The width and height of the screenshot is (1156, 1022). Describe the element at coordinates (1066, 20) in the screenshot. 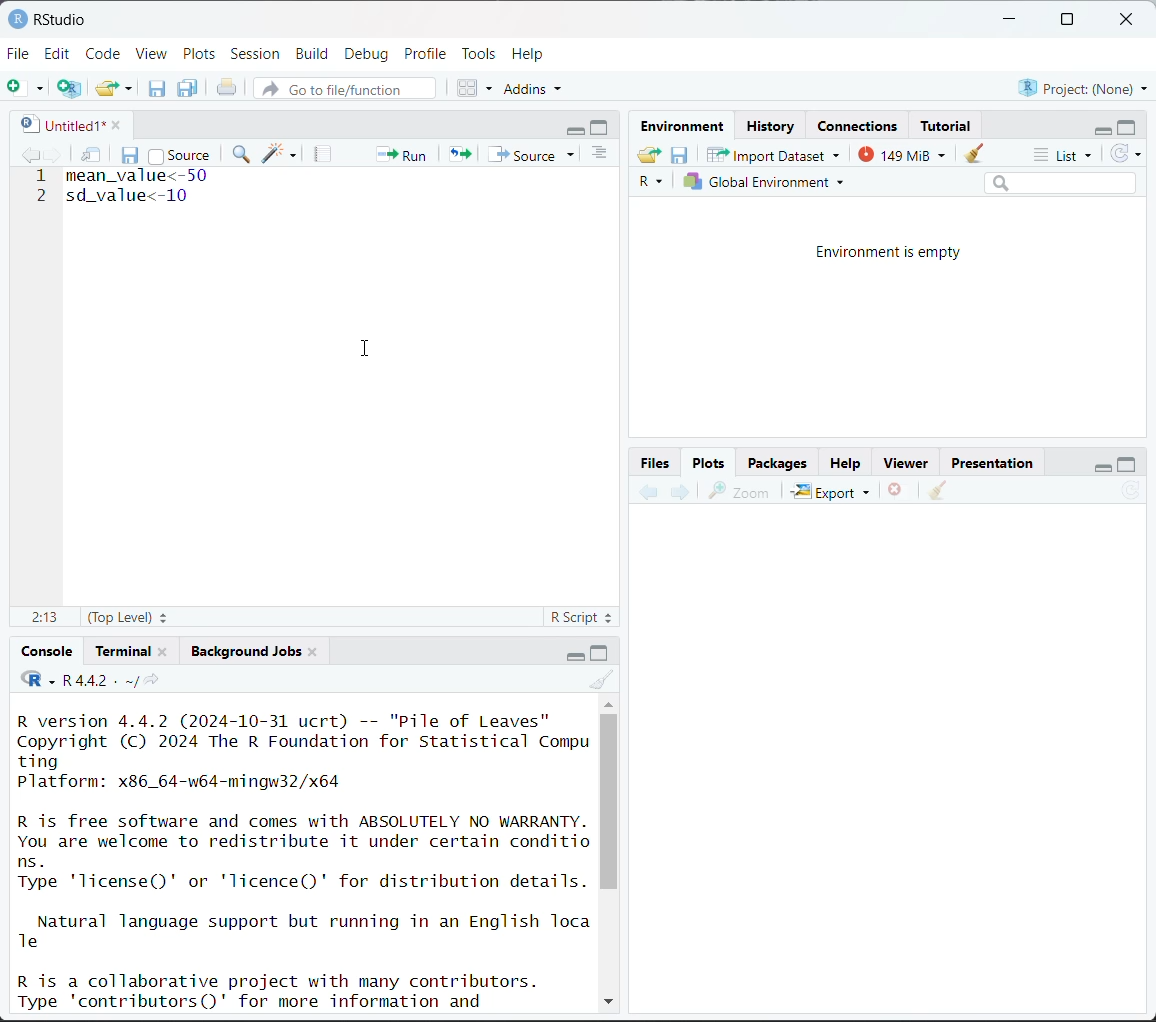

I see `maximize` at that location.